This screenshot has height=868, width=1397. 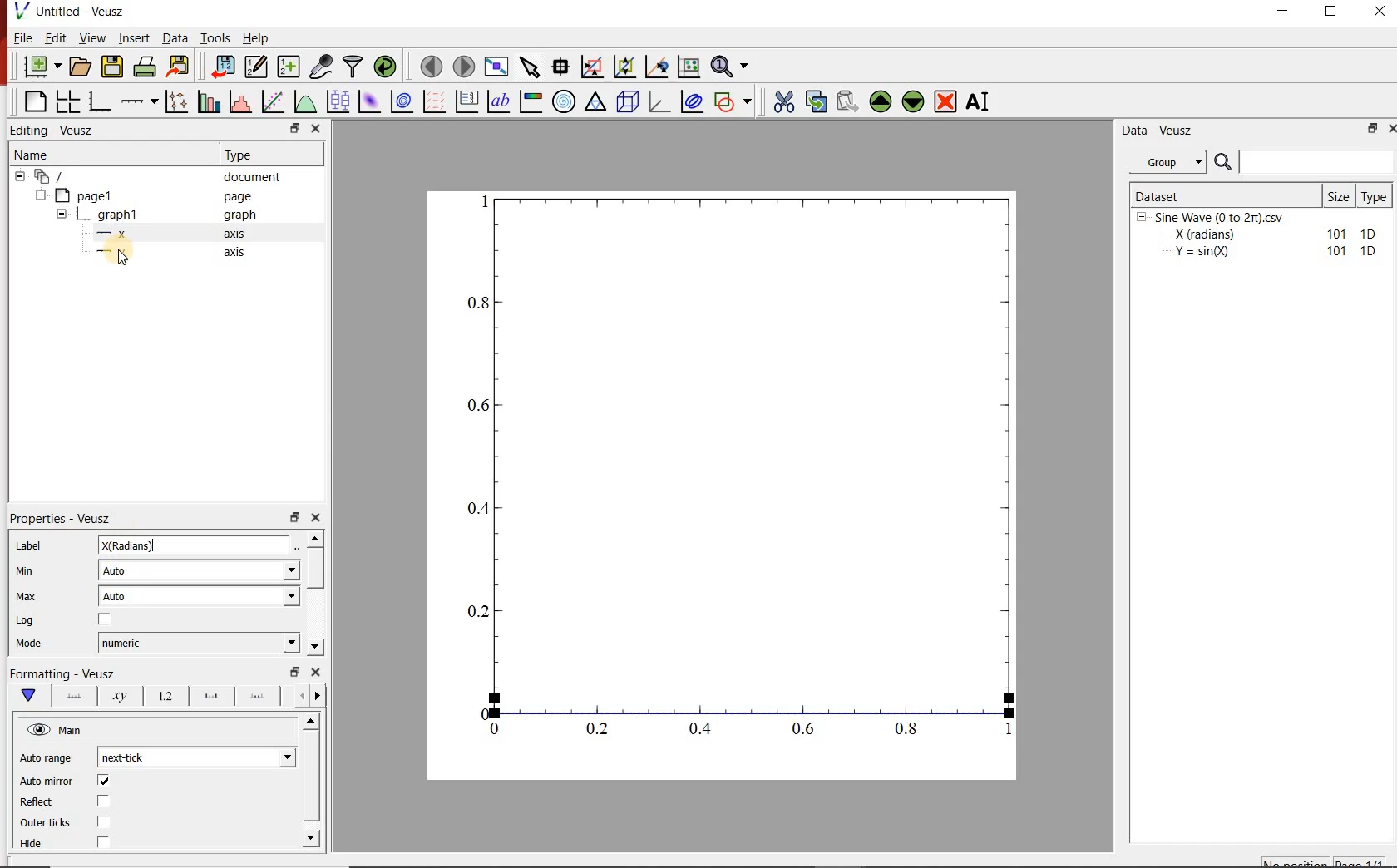 I want to click on graph, so click(x=238, y=214).